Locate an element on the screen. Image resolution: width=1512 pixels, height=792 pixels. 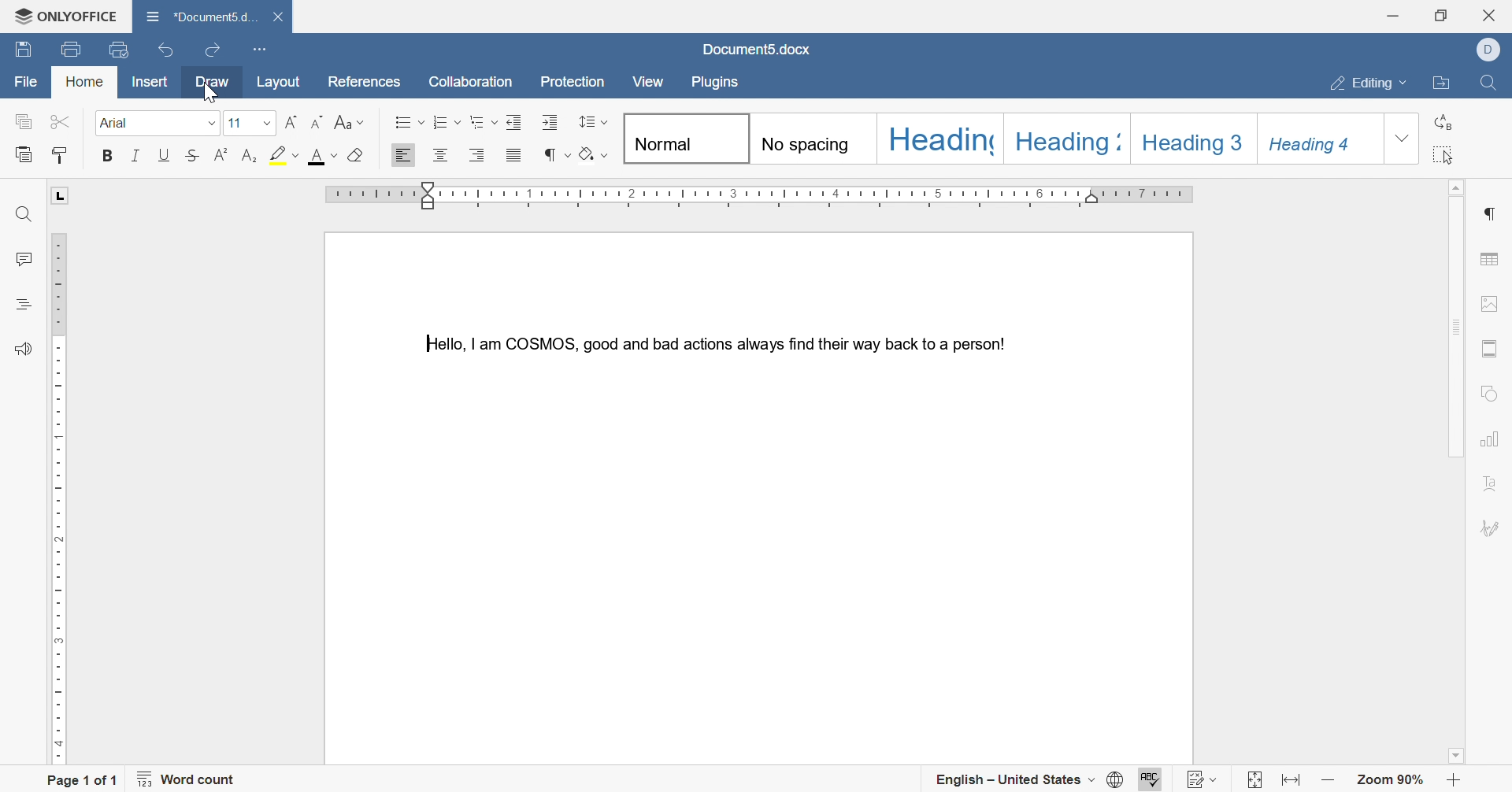
underline is located at coordinates (163, 156).